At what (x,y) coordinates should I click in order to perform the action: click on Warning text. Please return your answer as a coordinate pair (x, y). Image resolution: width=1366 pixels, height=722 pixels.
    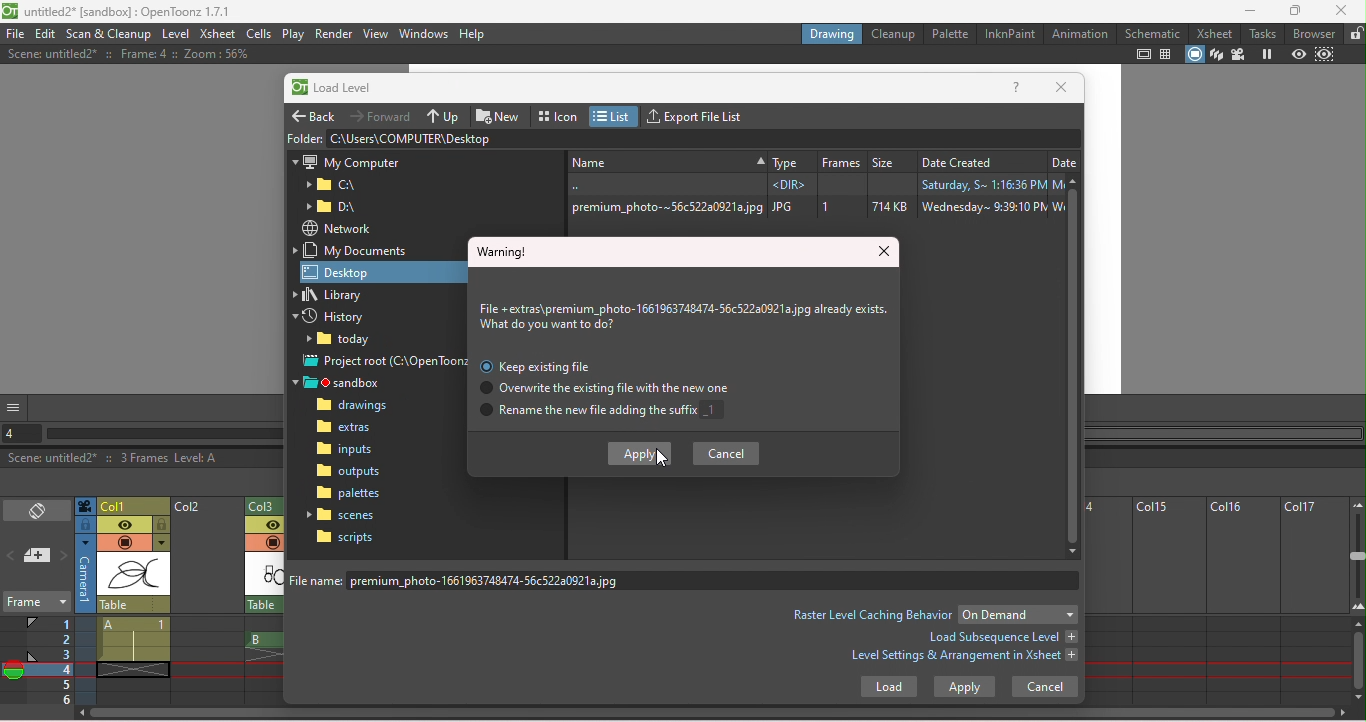
    Looking at the image, I should click on (686, 318).